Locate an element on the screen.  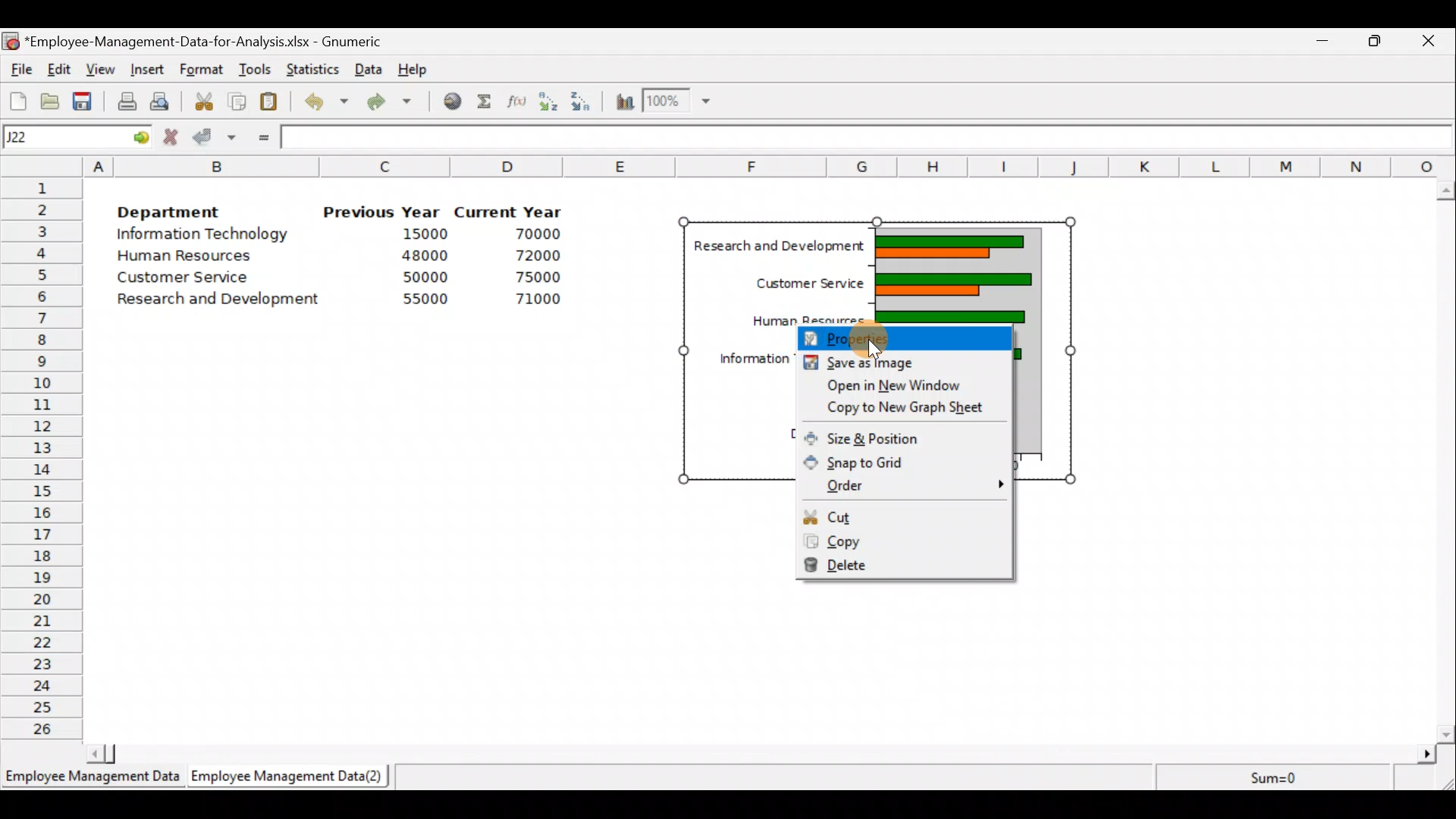
Rows is located at coordinates (42, 460).